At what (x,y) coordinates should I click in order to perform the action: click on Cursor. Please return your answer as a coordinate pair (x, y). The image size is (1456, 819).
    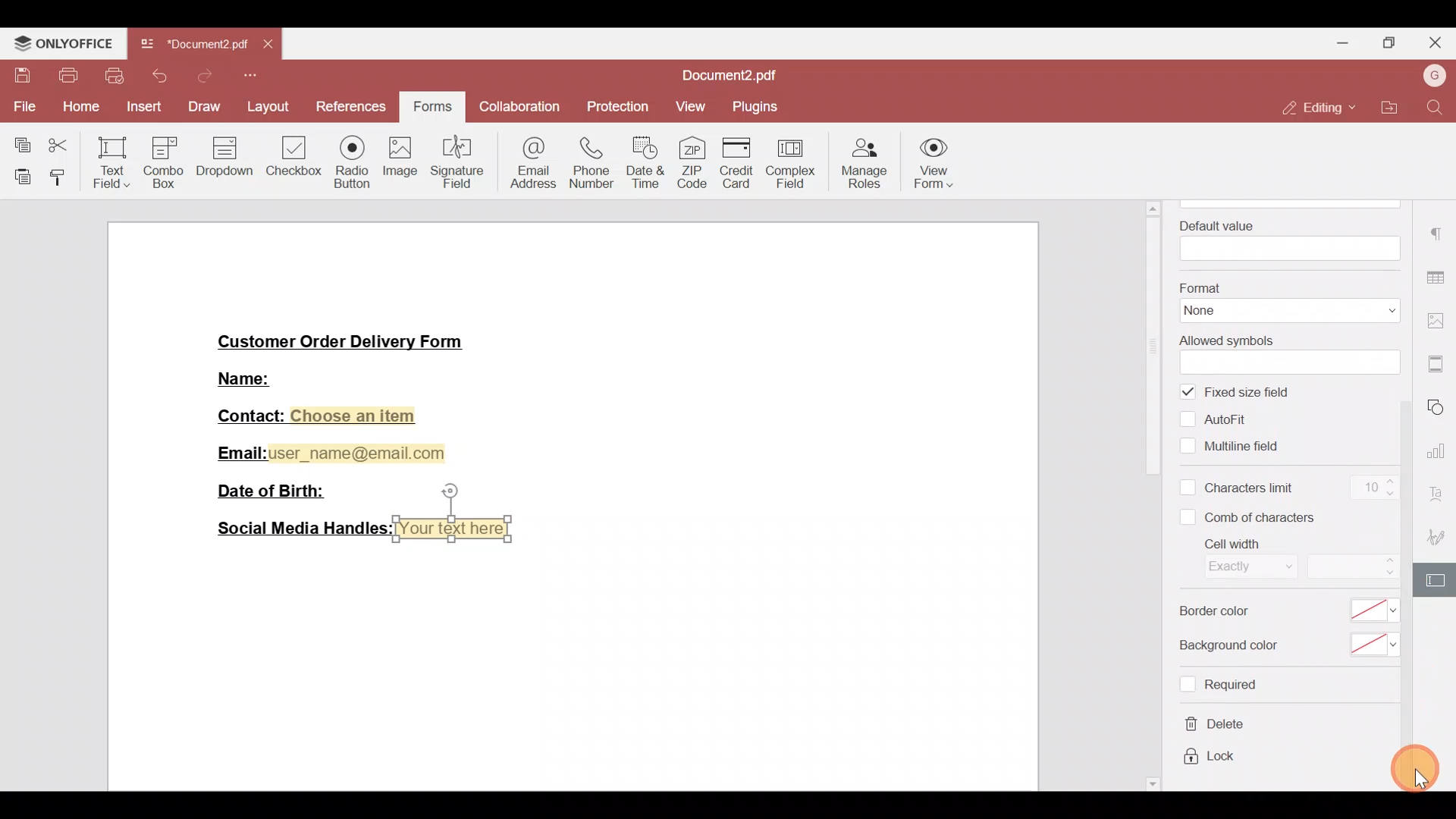
    Looking at the image, I should click on (1414, 769).